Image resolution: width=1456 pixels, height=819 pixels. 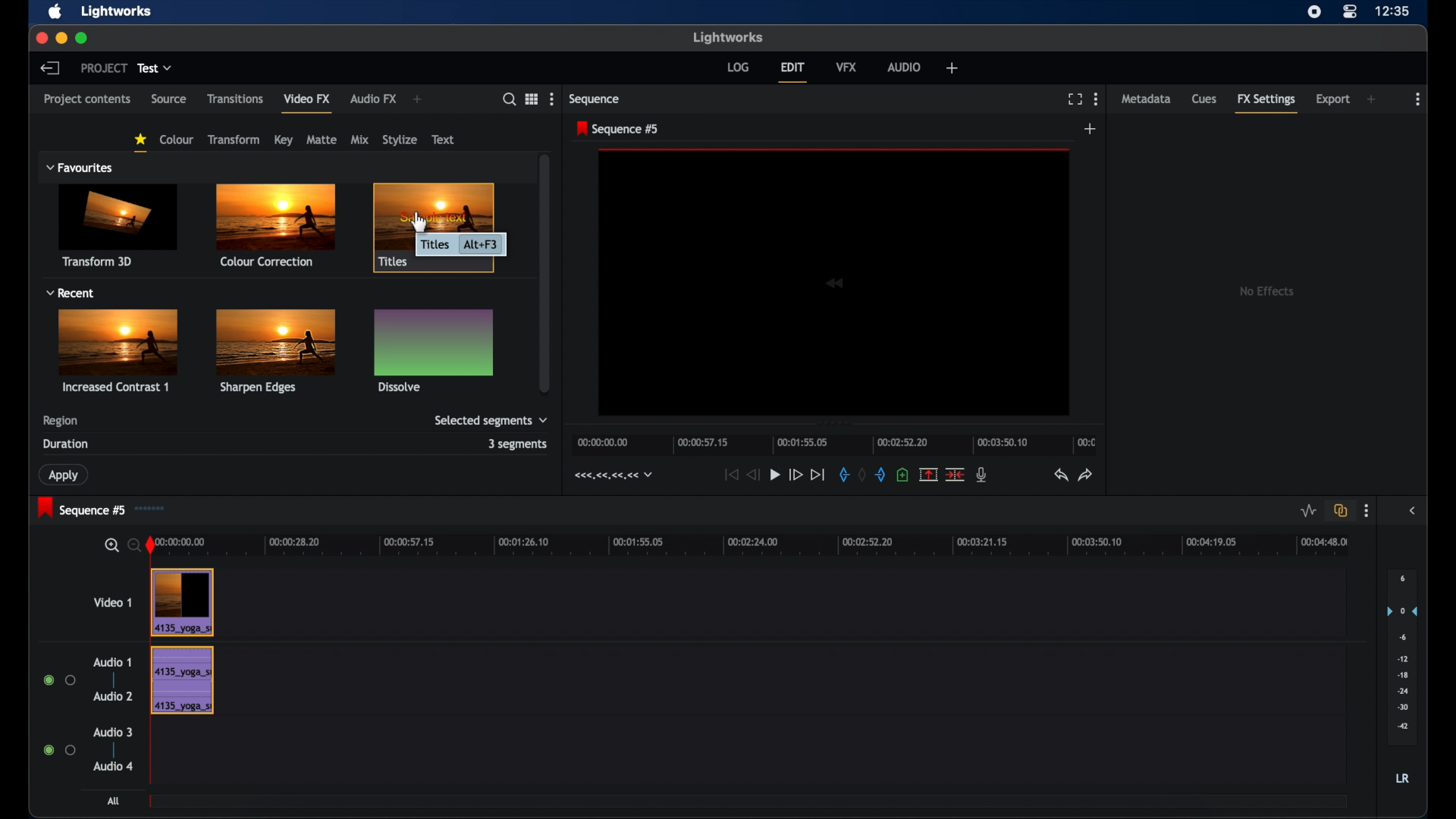 I want to click on video icon, so click(x=834, y=283).